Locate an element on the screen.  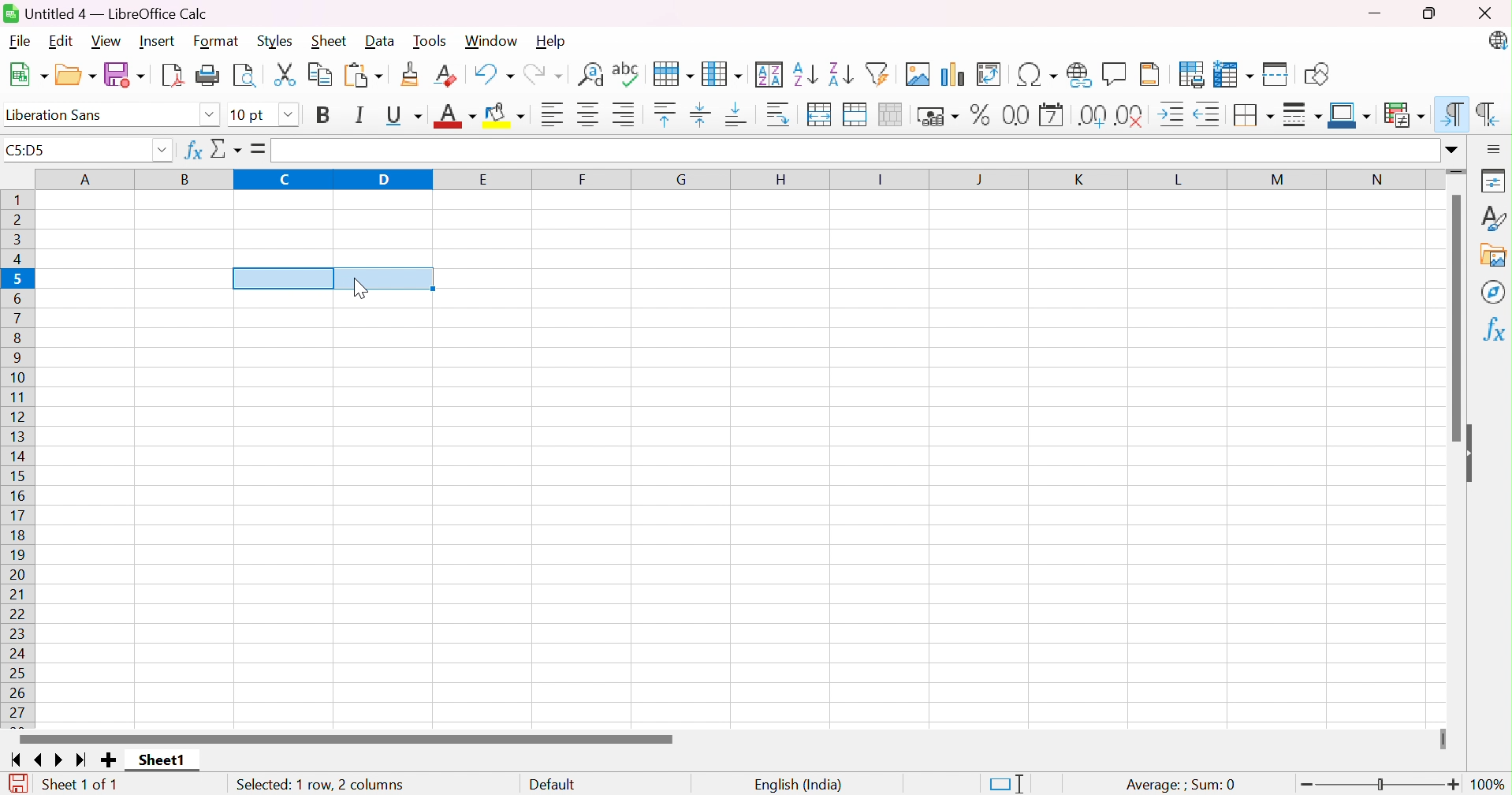
Align Right is located at coordinates (627, 115).